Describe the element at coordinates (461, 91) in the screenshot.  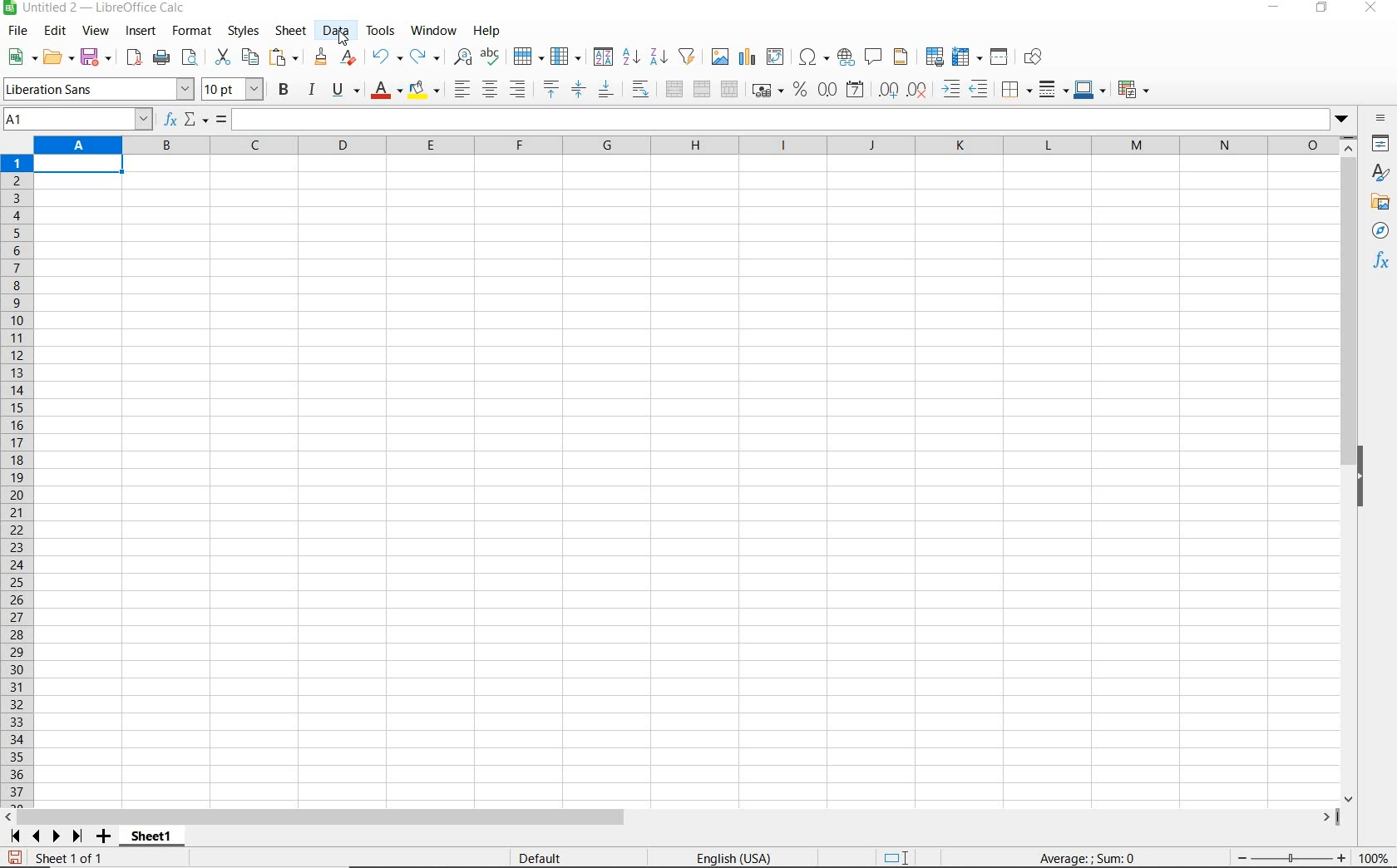
I see `align left` at that location.